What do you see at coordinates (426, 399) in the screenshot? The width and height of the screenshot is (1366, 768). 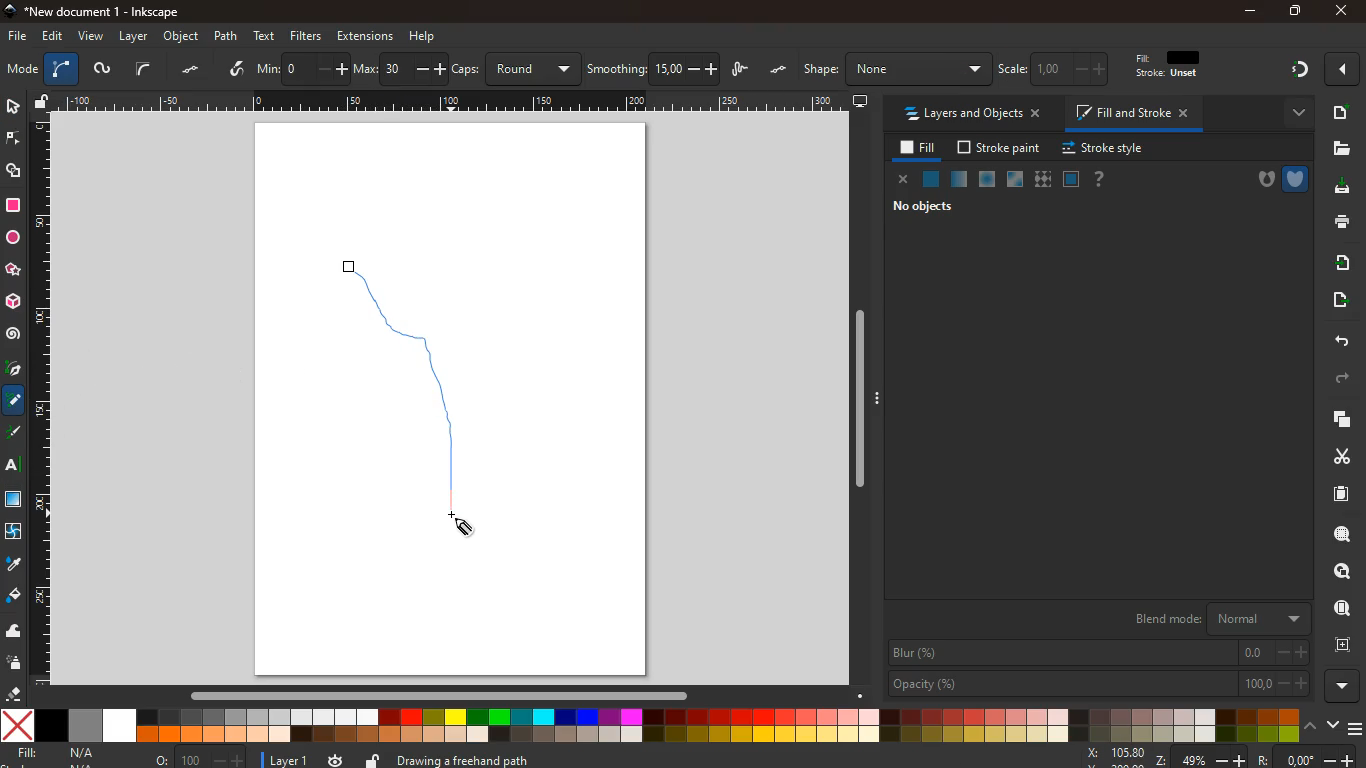 I see `draw` at bounding box center [426, 399].